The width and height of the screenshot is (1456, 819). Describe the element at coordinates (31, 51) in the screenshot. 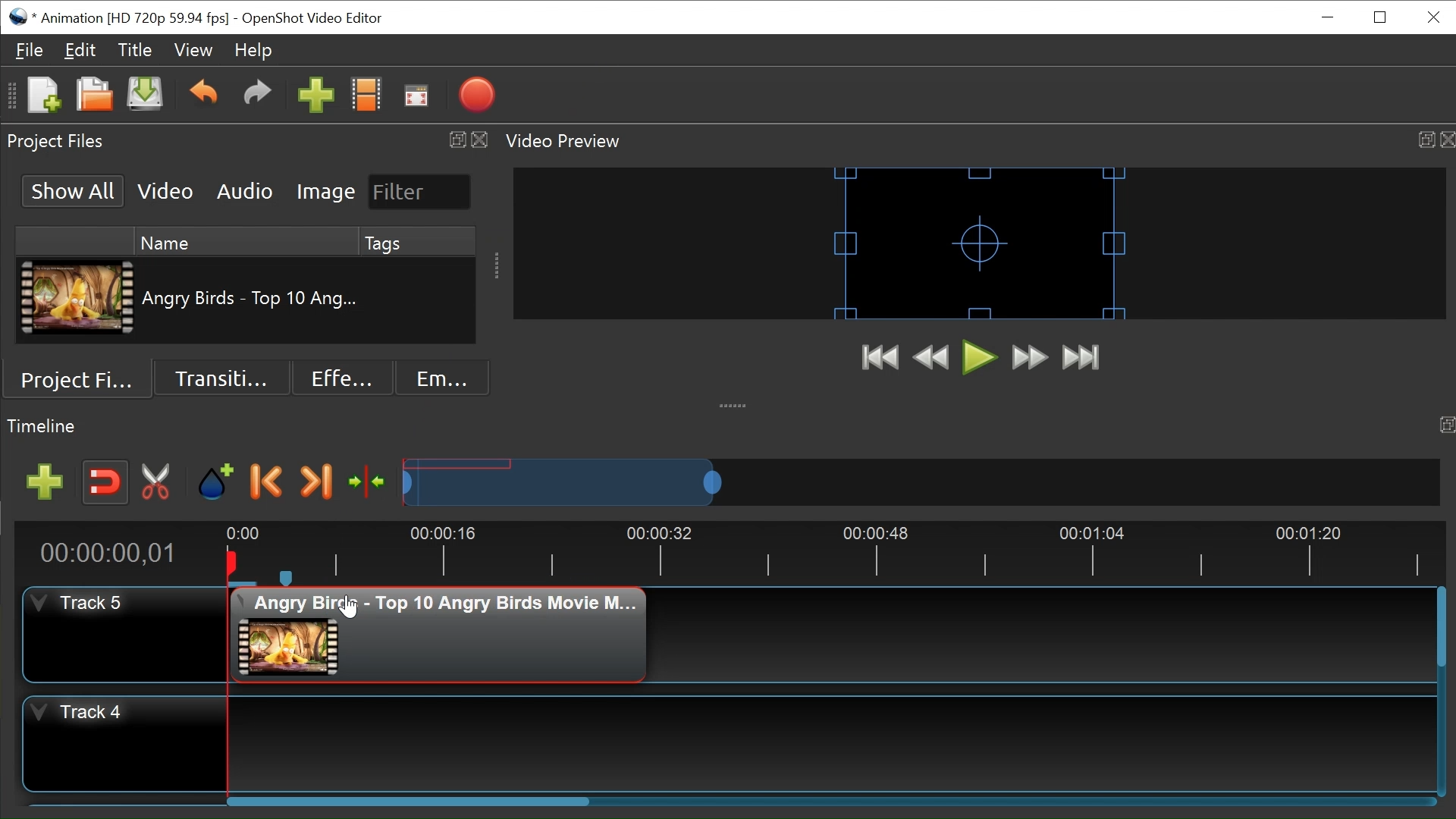

I see `File` at that location.